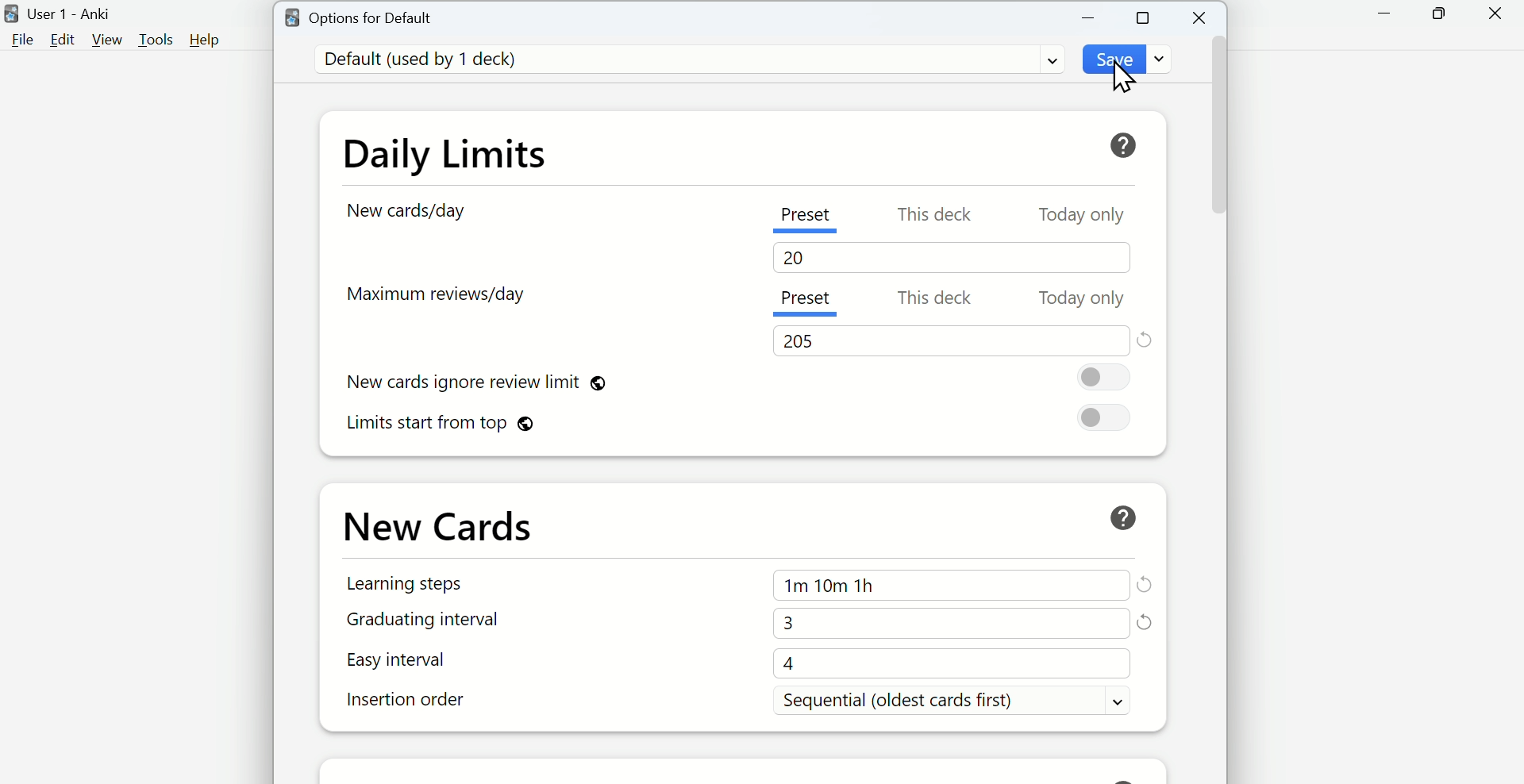 This screenshot has width=1524, height=784. I want to click on Edit, so click(61, 42).